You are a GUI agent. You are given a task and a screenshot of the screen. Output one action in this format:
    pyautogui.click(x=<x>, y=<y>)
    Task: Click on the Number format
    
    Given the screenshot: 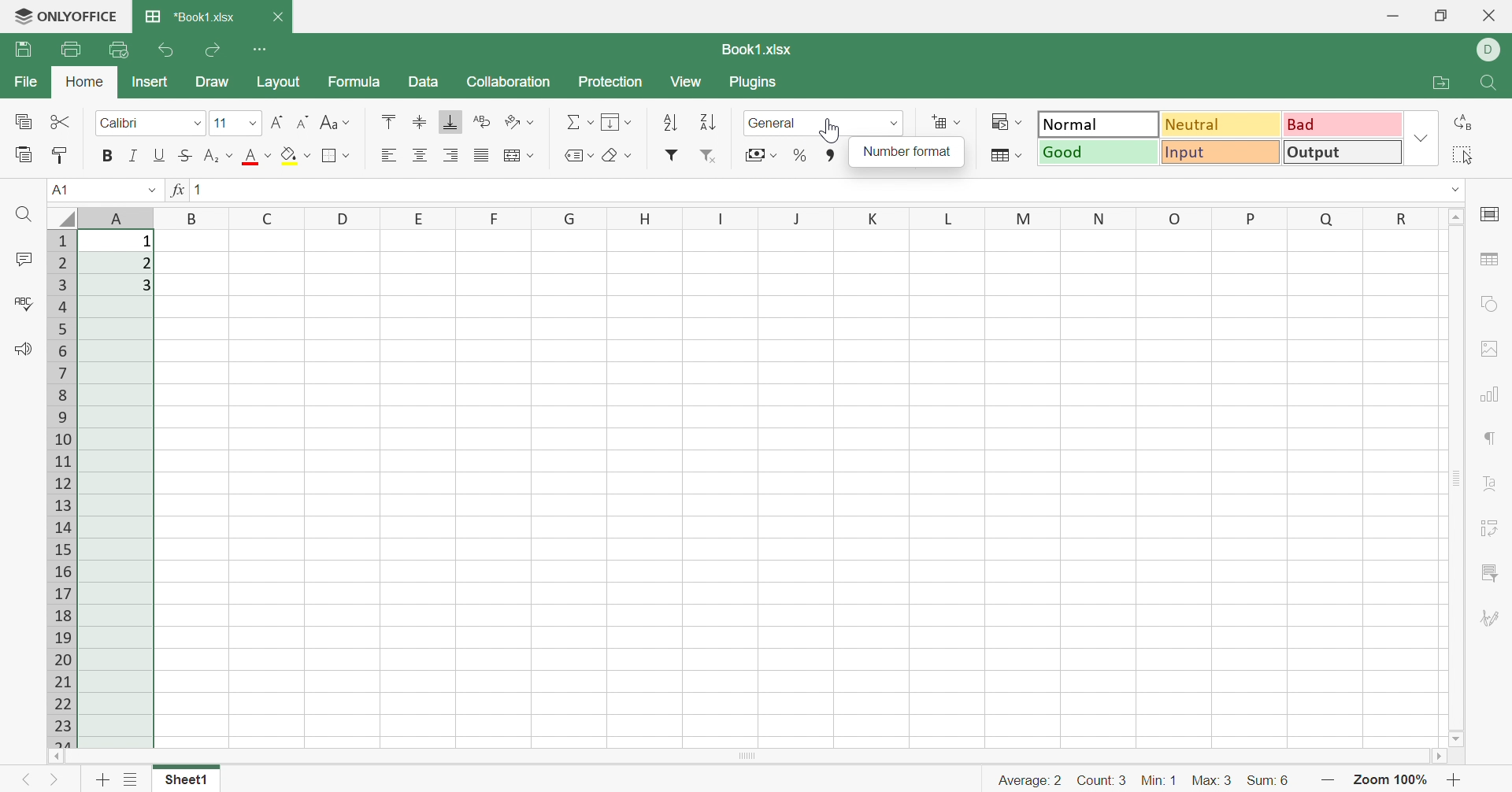 What is the action you would take?
    pyautogui.click(x=776, y=122)
    